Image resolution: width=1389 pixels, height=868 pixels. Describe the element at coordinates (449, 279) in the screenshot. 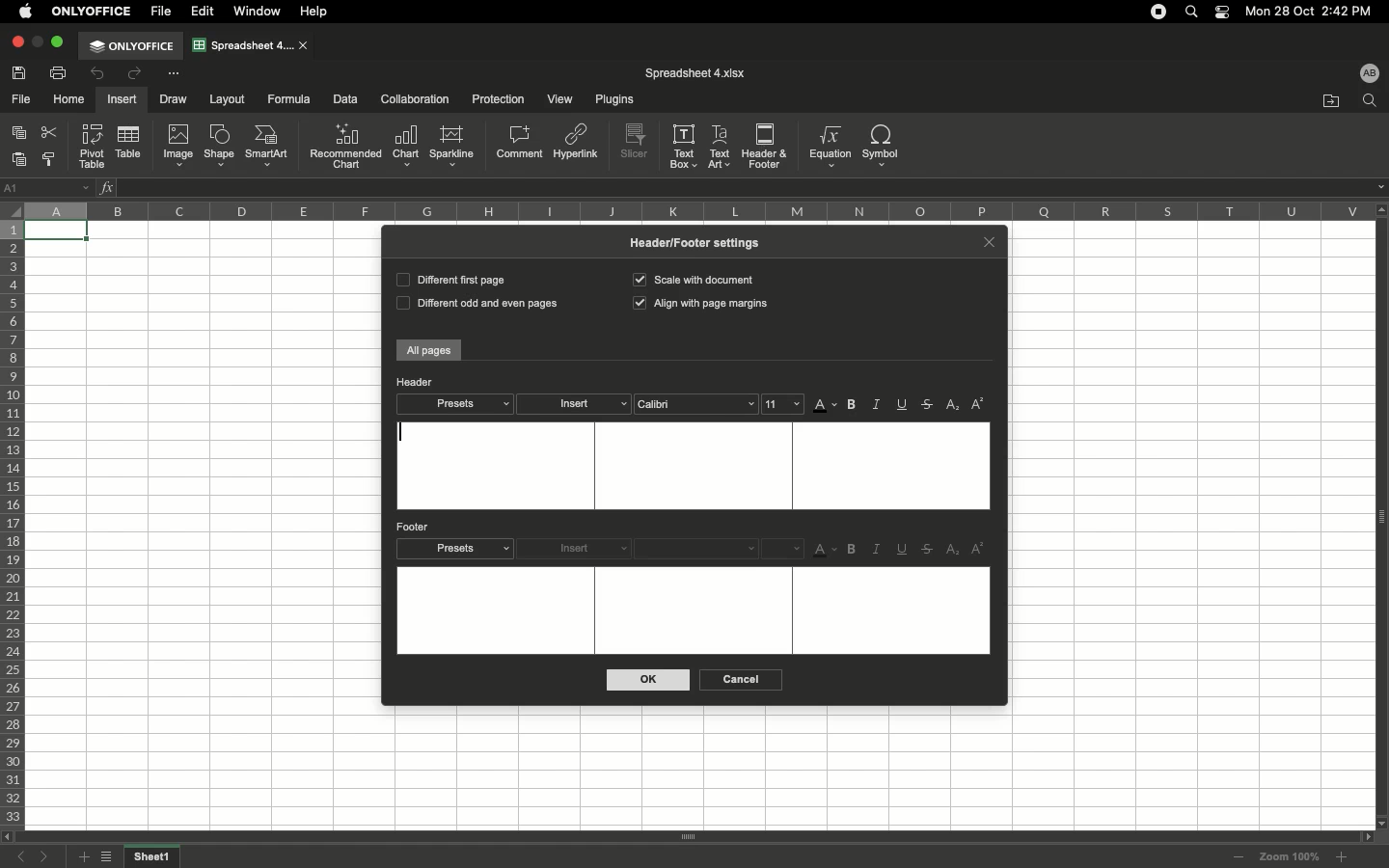

I see `Different first page` at that location.